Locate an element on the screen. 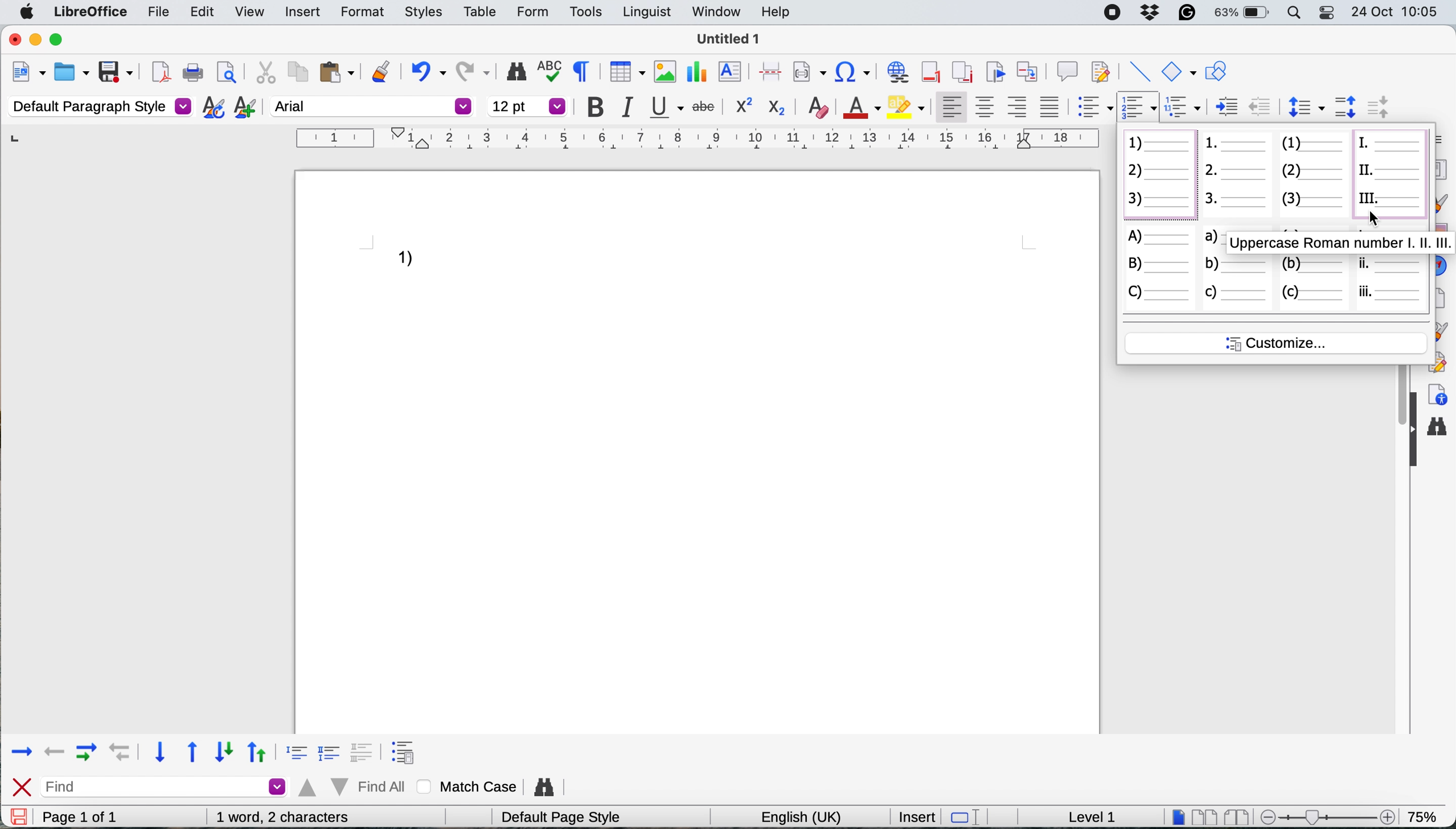 Image resolution: width=1456 pixels, height=829 pixels. increase paragraph spacing is located at coordinates (1346, 107).